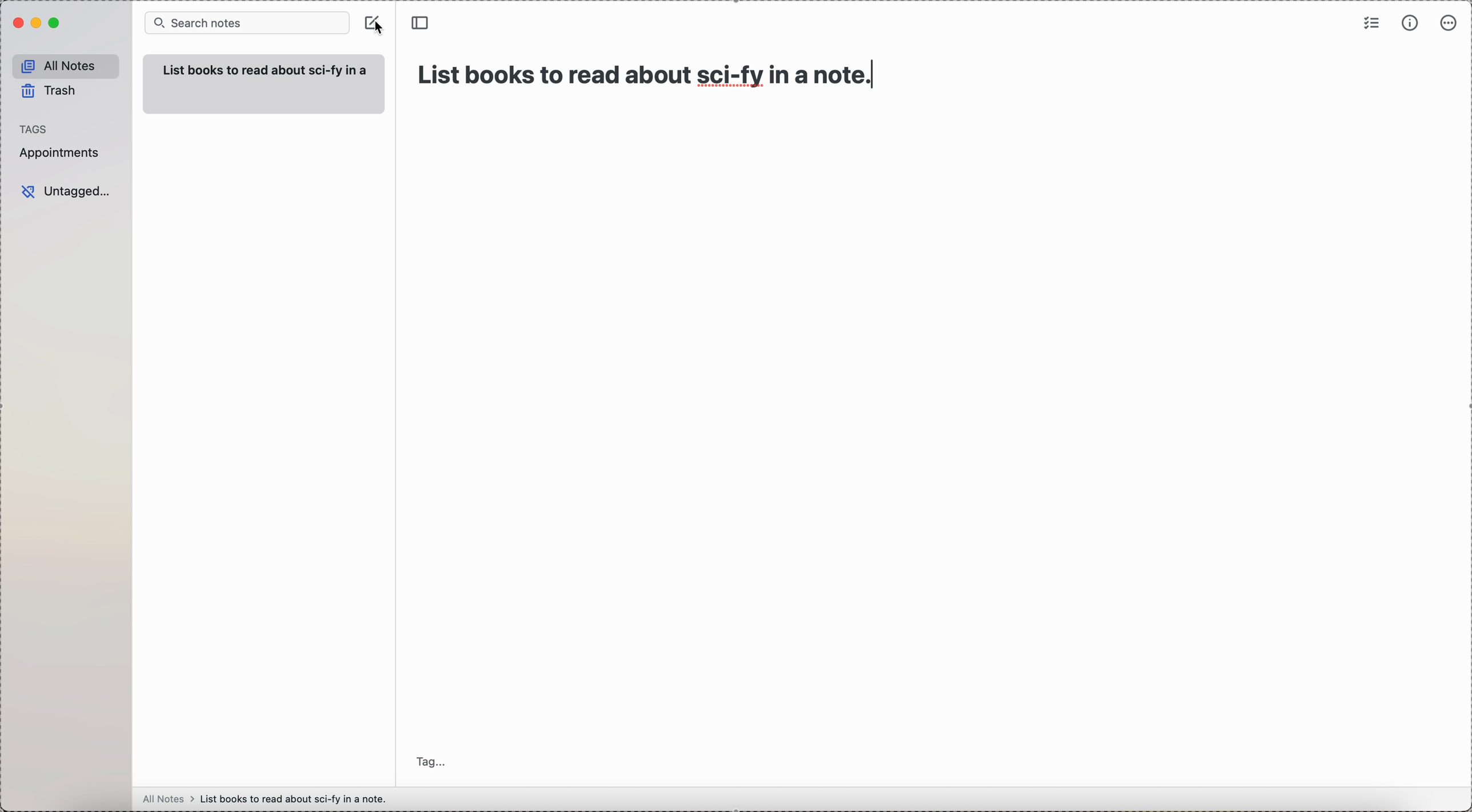  What do you see at coordinates (422, 22) in the screenshot?
I see `toggle sidebar` at bounding box center [422, 22].